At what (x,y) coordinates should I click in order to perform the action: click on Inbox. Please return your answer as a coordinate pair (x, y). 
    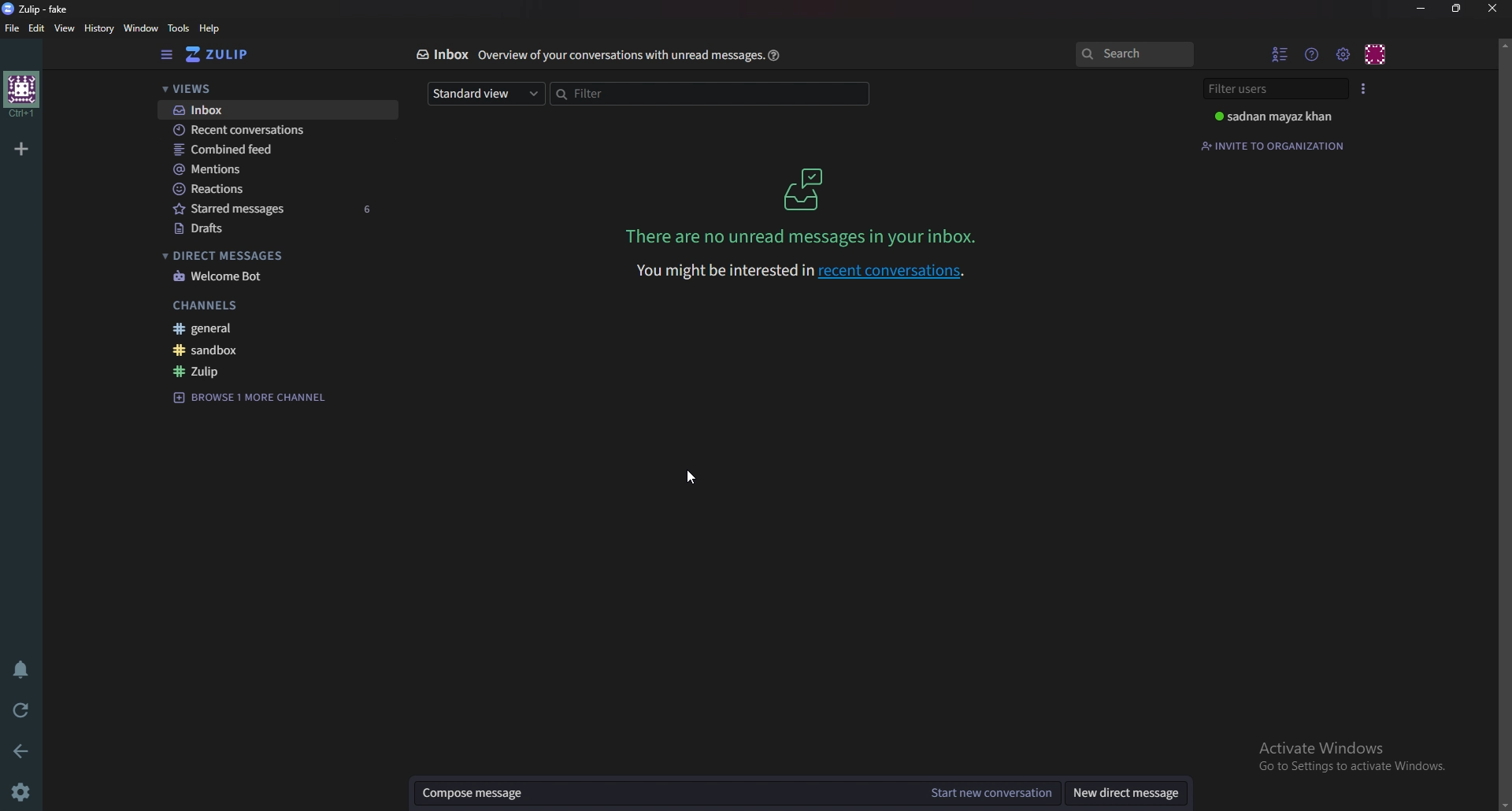
    Looking at the image, I should click on (810, 188).